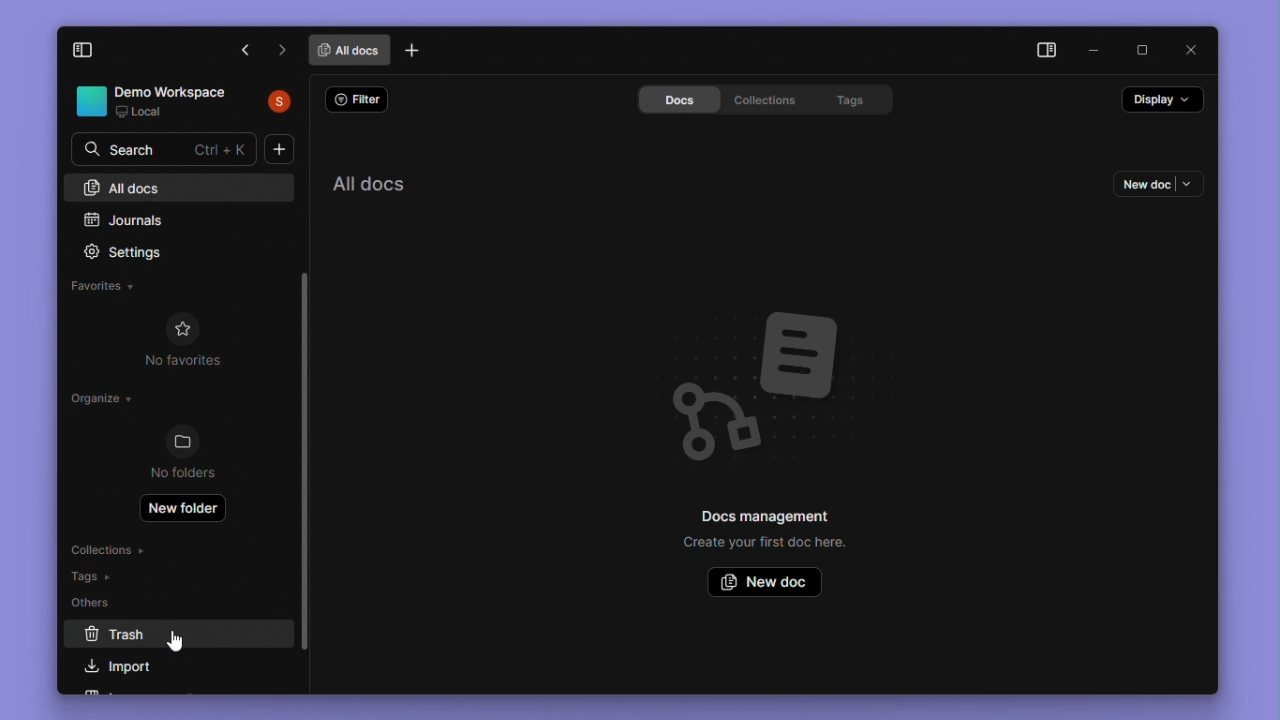 The height and width of the screenshot is (720, 1280). I want to click on Favorites, so click(123, 291).